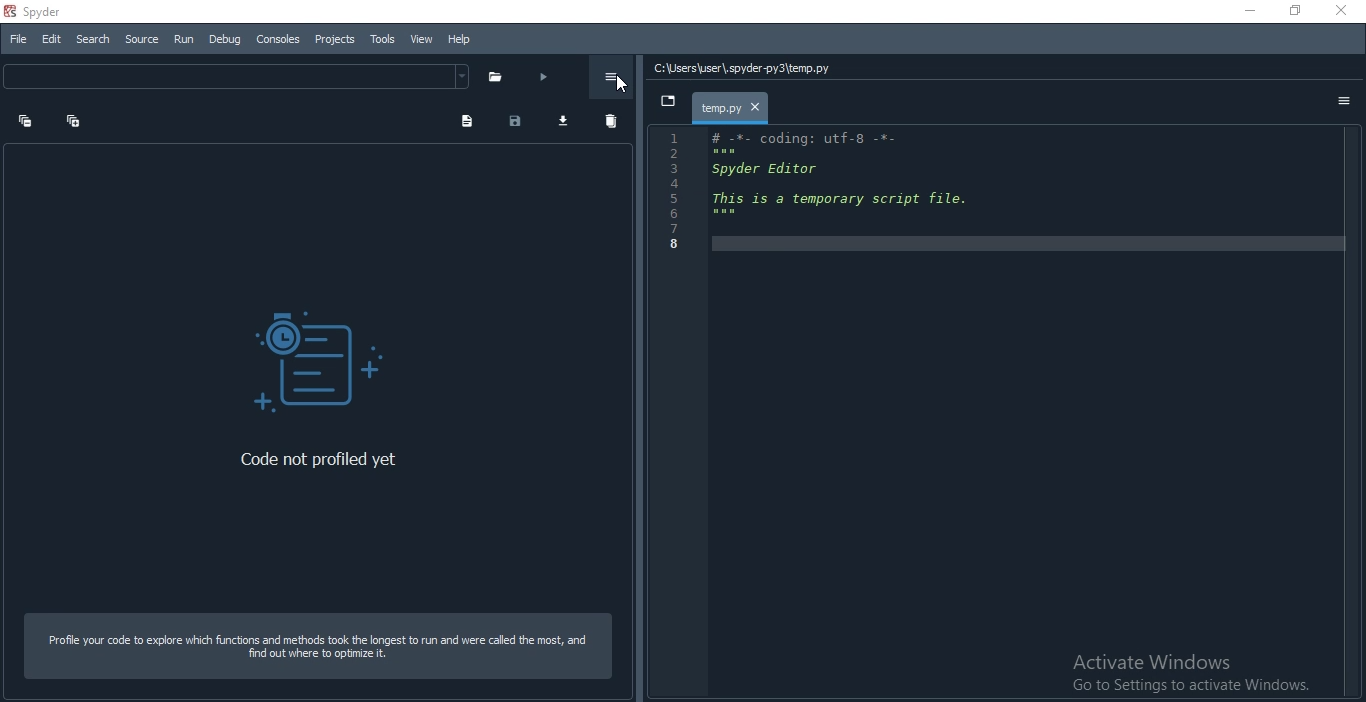 This screenshot has width=1366, height=702. Describe the element at coordinates (1293, 10) in the screenshot. I see `Restore` at that location.